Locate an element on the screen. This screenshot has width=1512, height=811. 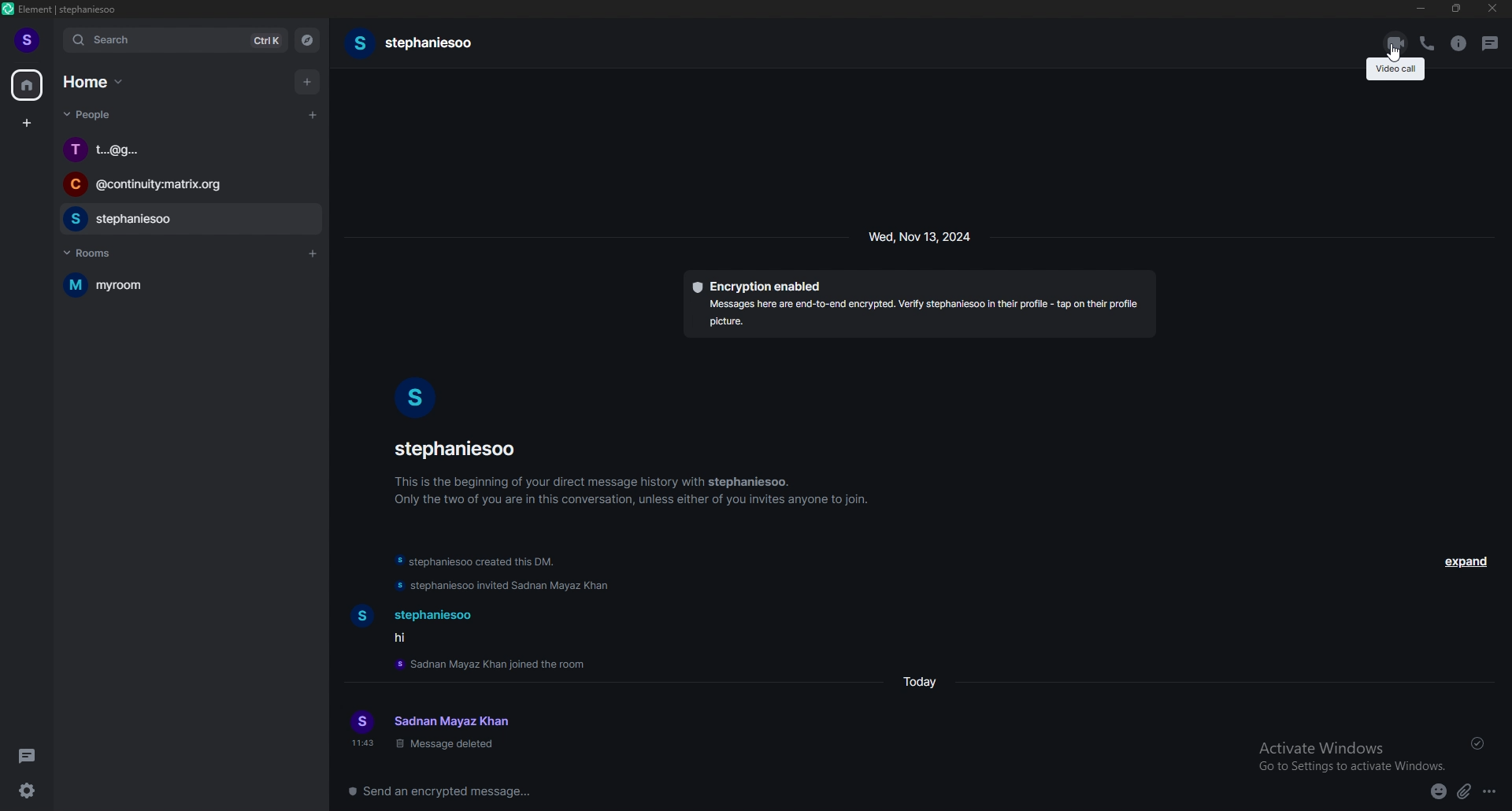
cursor is located at coordinates (1399, 61).